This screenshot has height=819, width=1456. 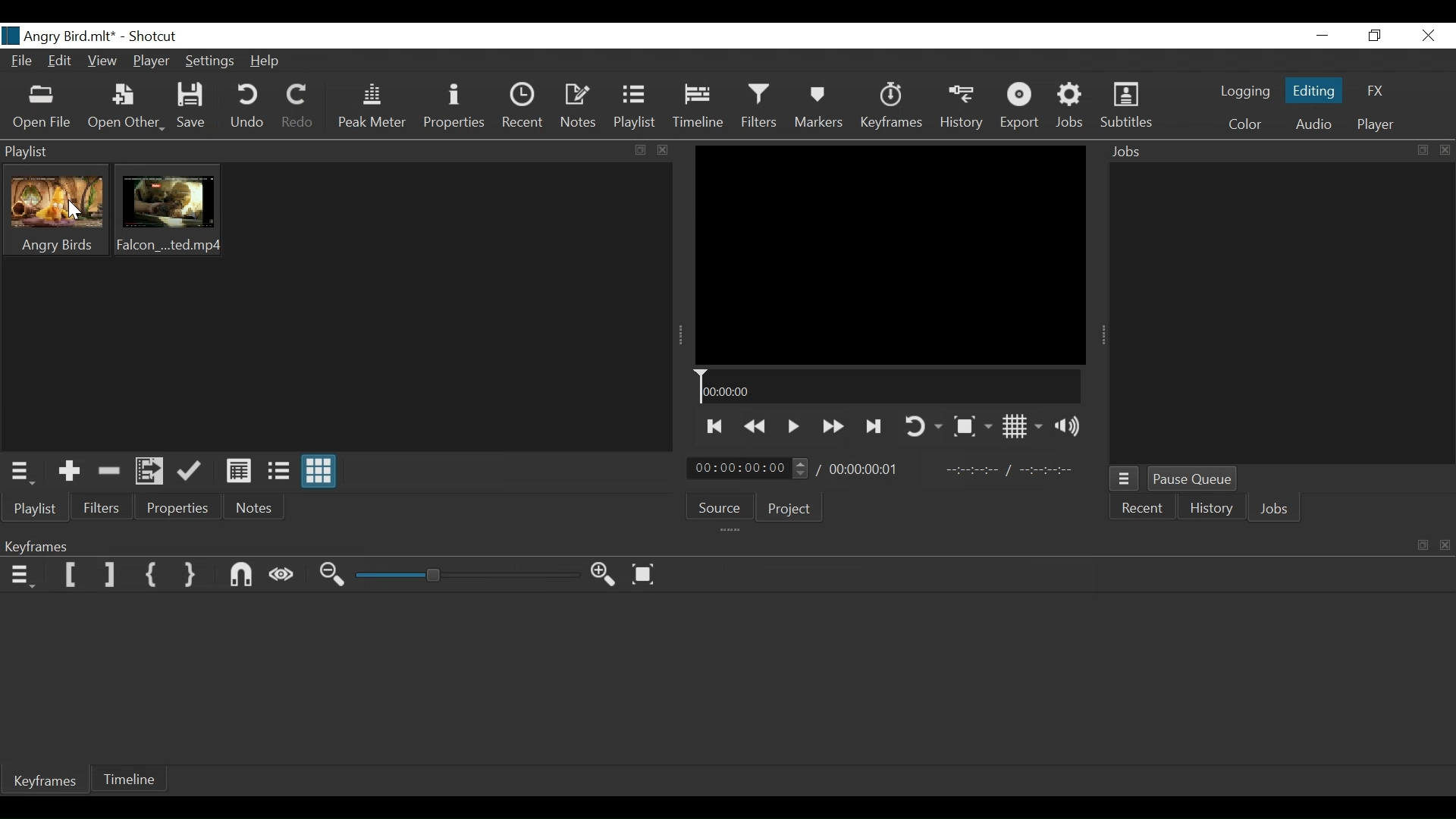 I want to click on Settings, so click(x=208, y=63).